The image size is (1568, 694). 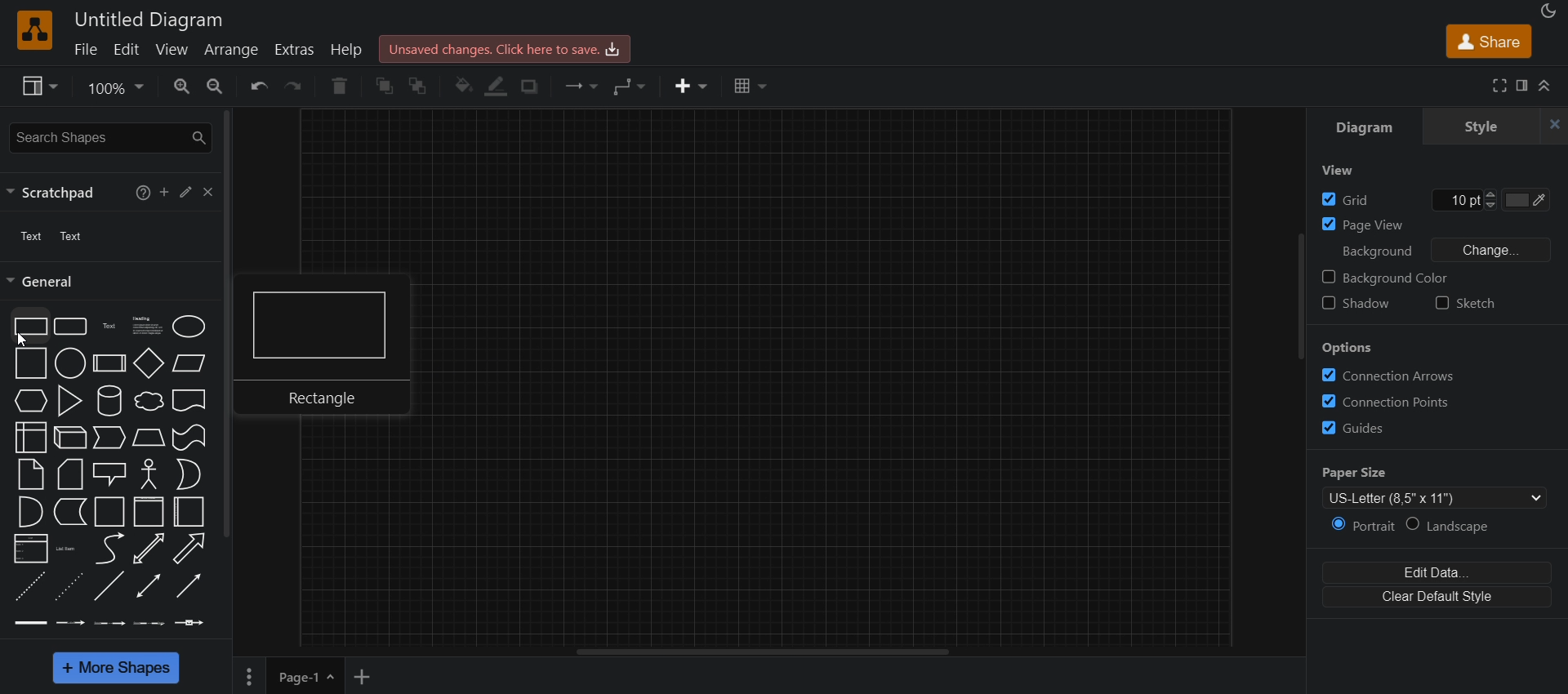 What do you see at coordinates (164, 193) in the screenshot?
I see `add` at bounding box center [164, 193].